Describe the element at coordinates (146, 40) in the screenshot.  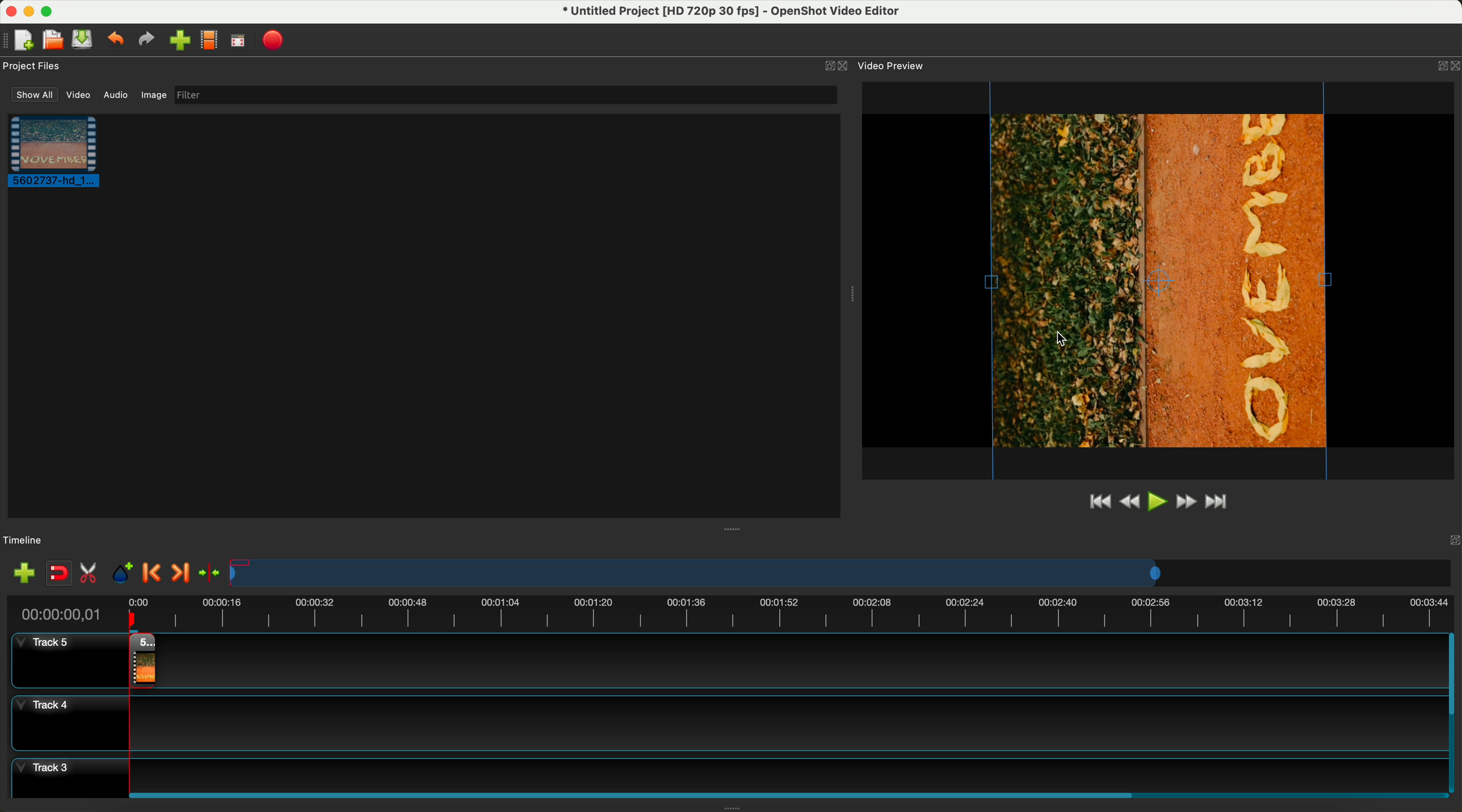
I see `redo` at that location.